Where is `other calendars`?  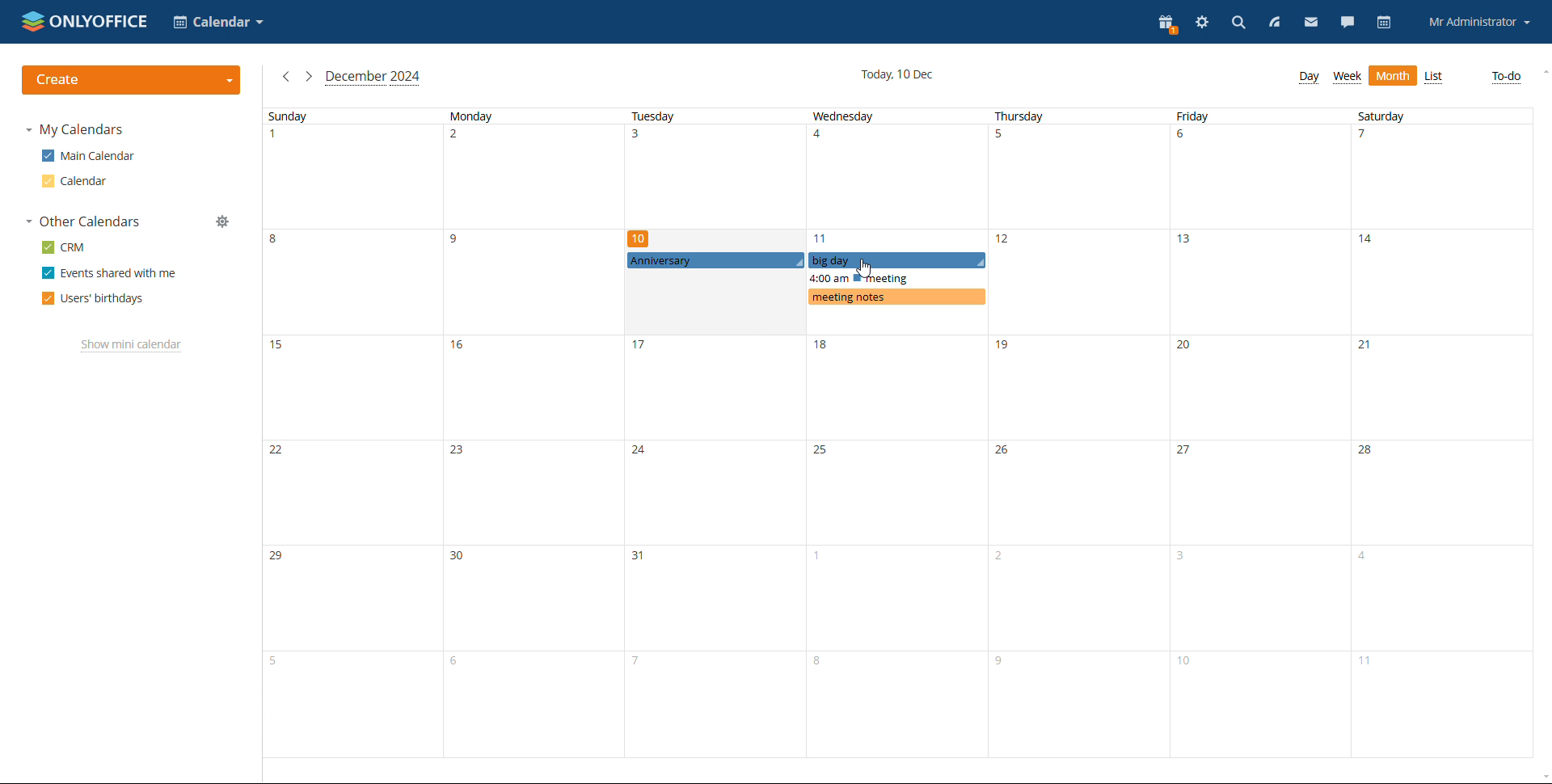
other calendars is located at coordinates (83, 221).